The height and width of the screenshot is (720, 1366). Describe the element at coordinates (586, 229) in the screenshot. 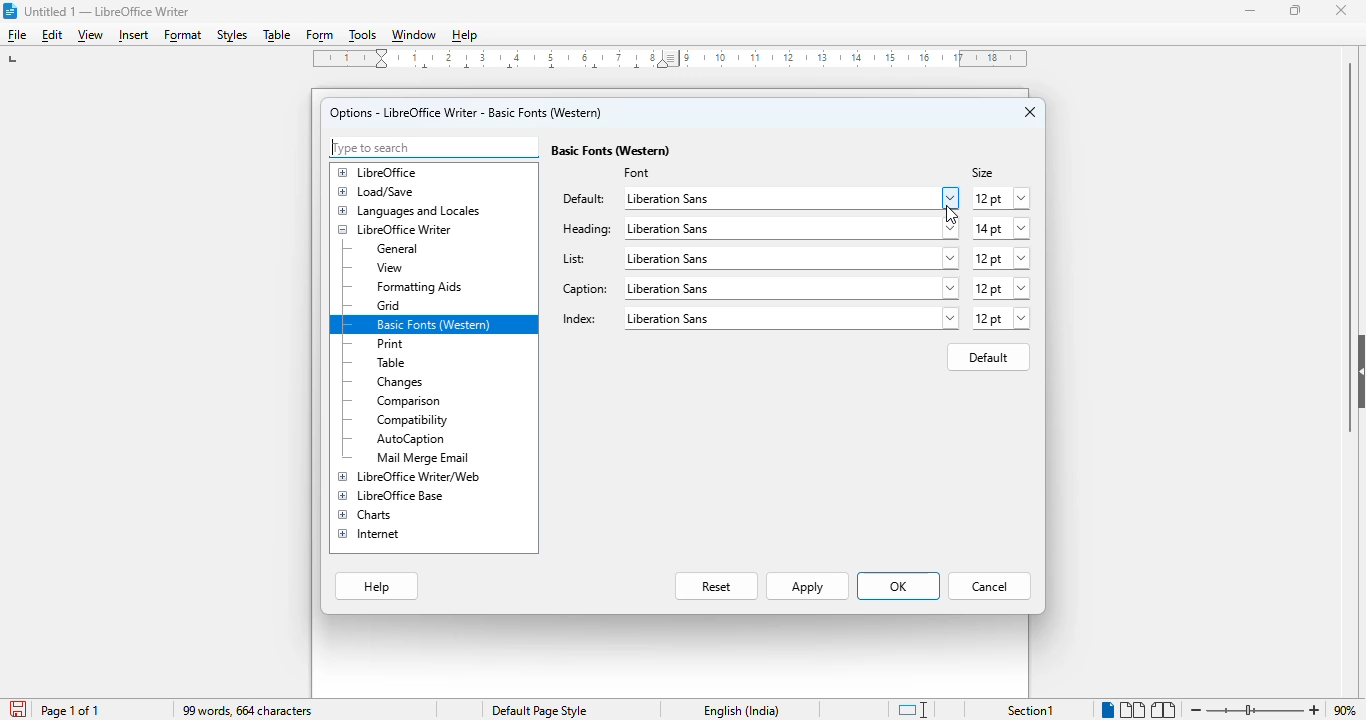

I see `heading: ` at that location.